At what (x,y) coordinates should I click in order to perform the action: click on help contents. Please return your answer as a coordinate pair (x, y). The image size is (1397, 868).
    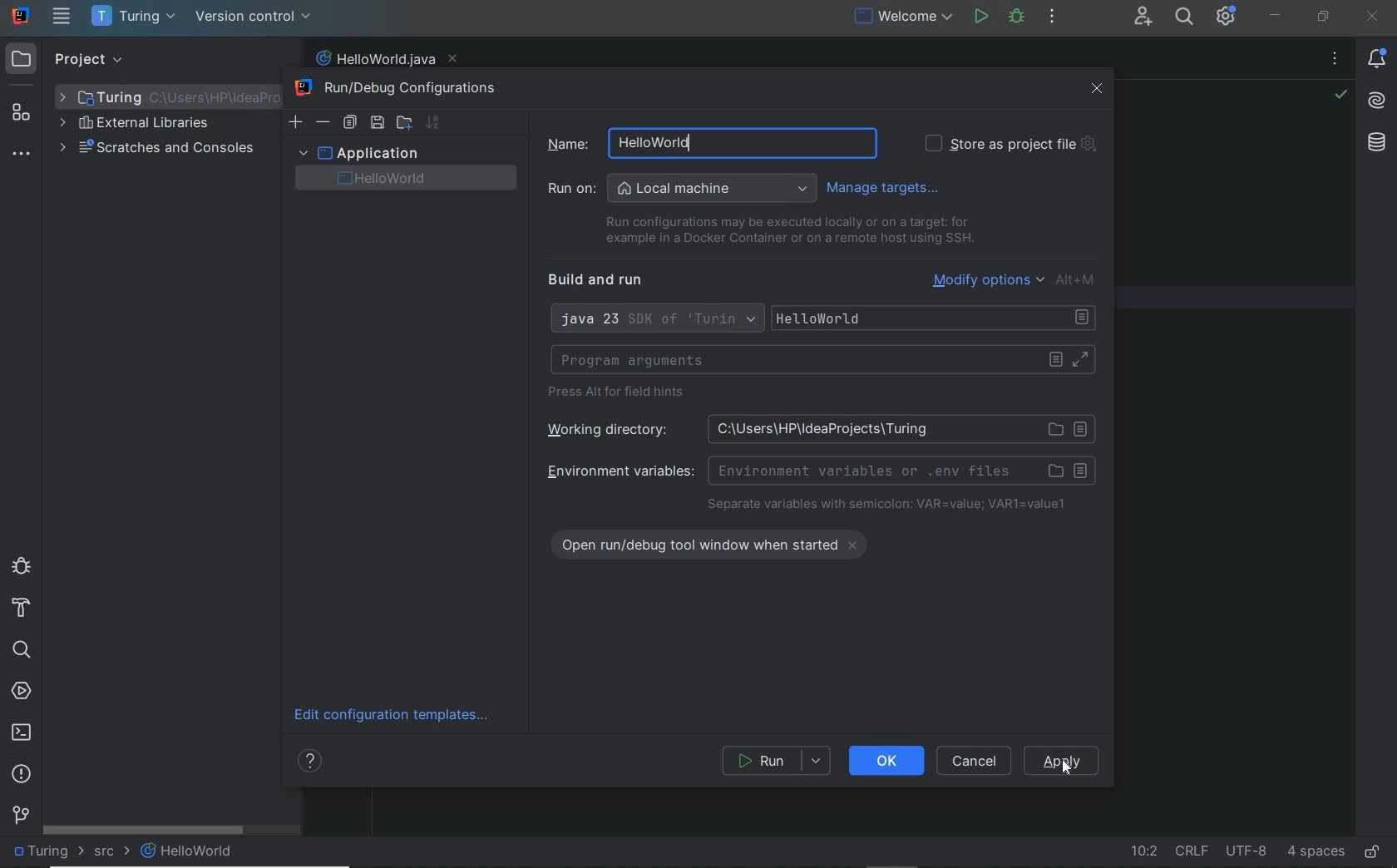
    Looking at the image, I should click on (313, 763).